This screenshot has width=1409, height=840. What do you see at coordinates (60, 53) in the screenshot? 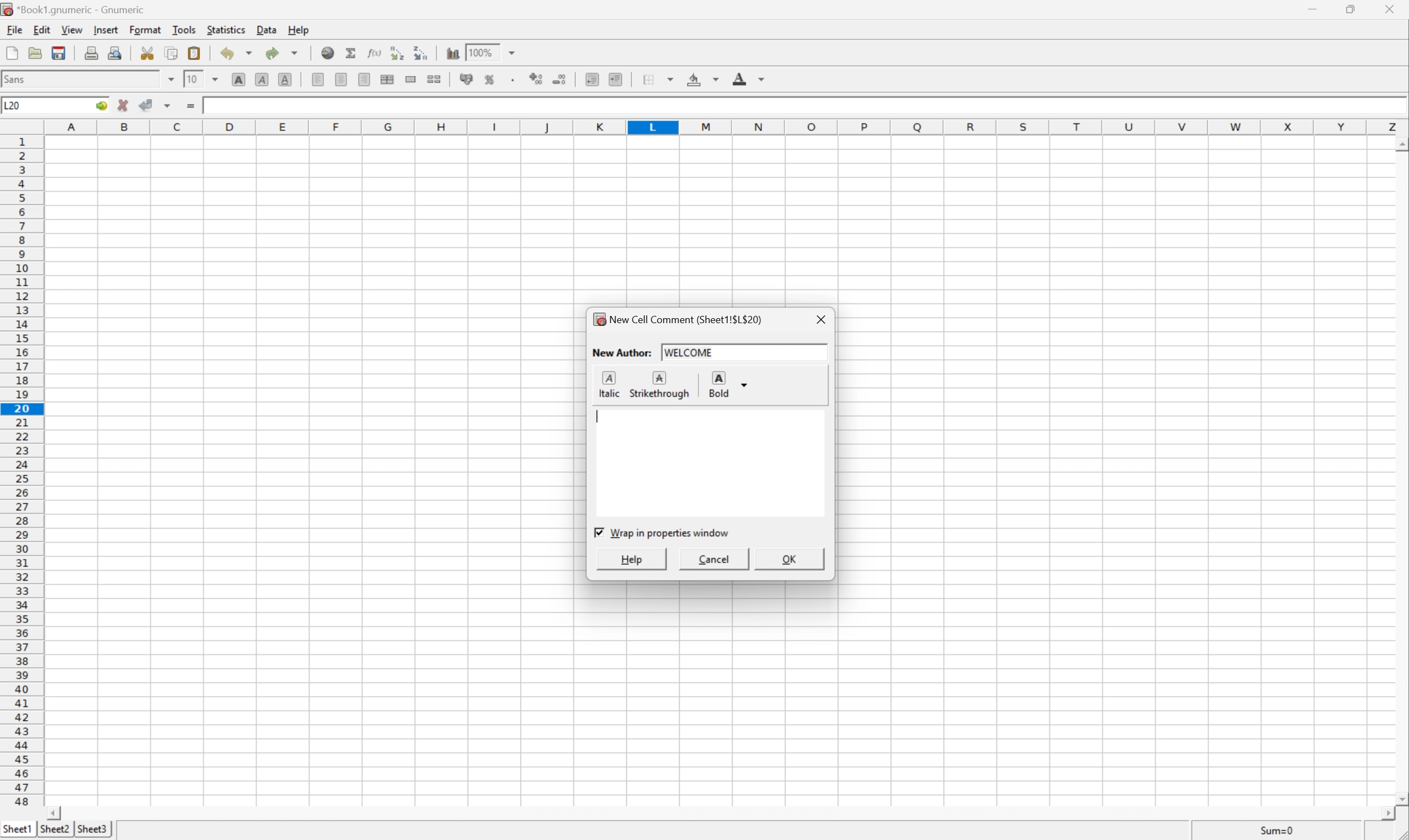
I see `Save current workbook` at bounding box center [60, 53].